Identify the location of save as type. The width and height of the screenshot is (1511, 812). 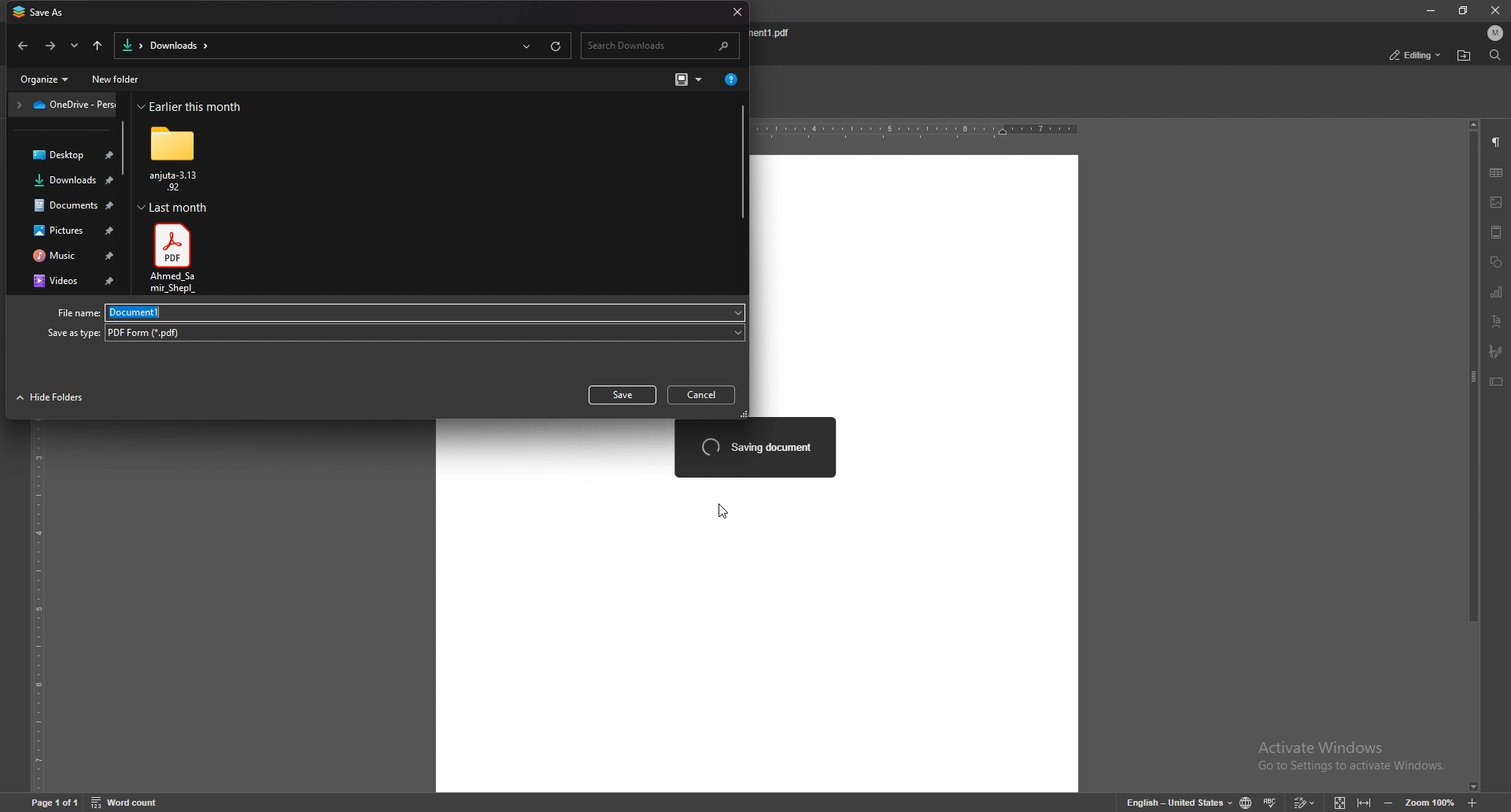
(393, 333).